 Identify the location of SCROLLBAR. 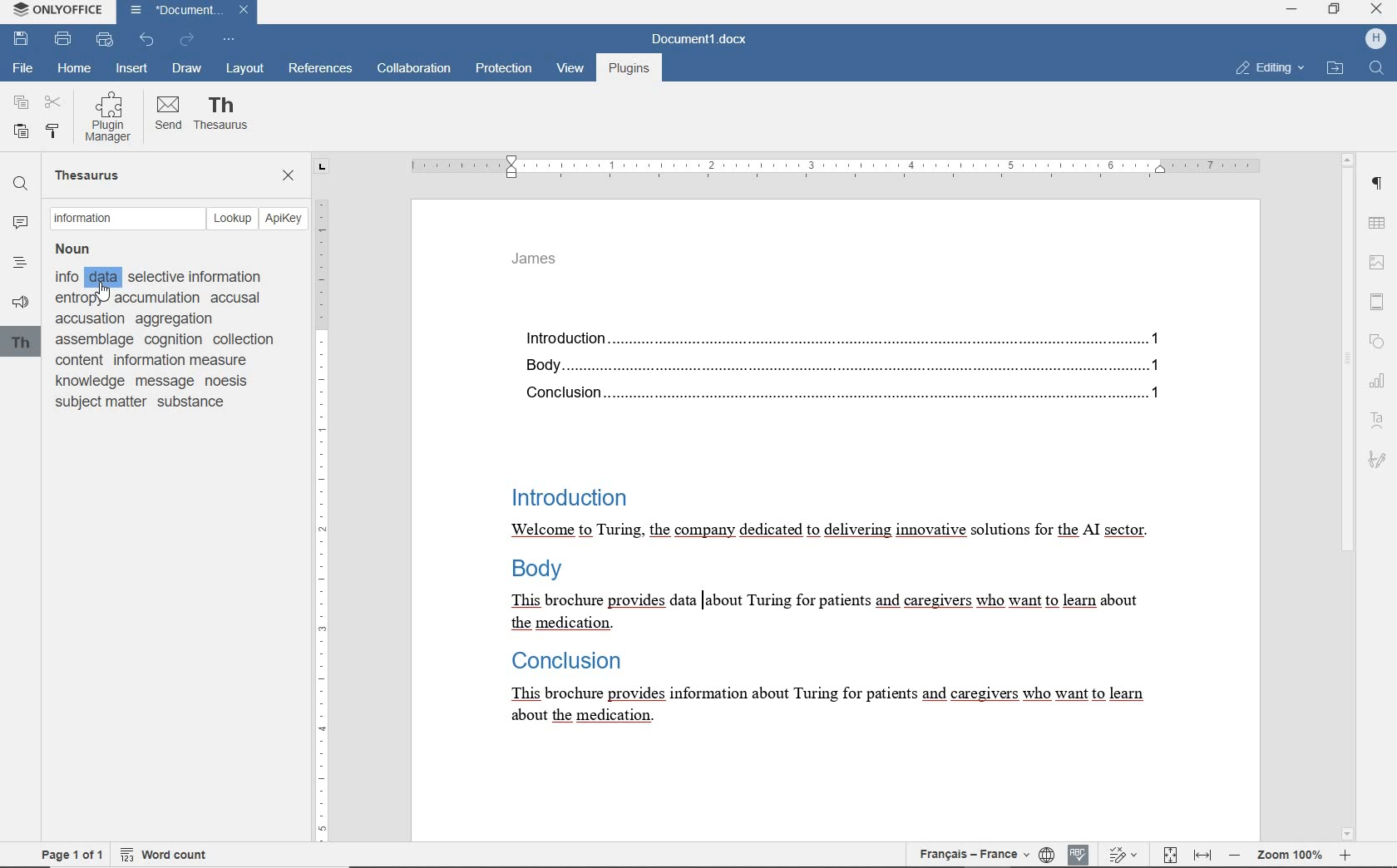
(1348, 496).